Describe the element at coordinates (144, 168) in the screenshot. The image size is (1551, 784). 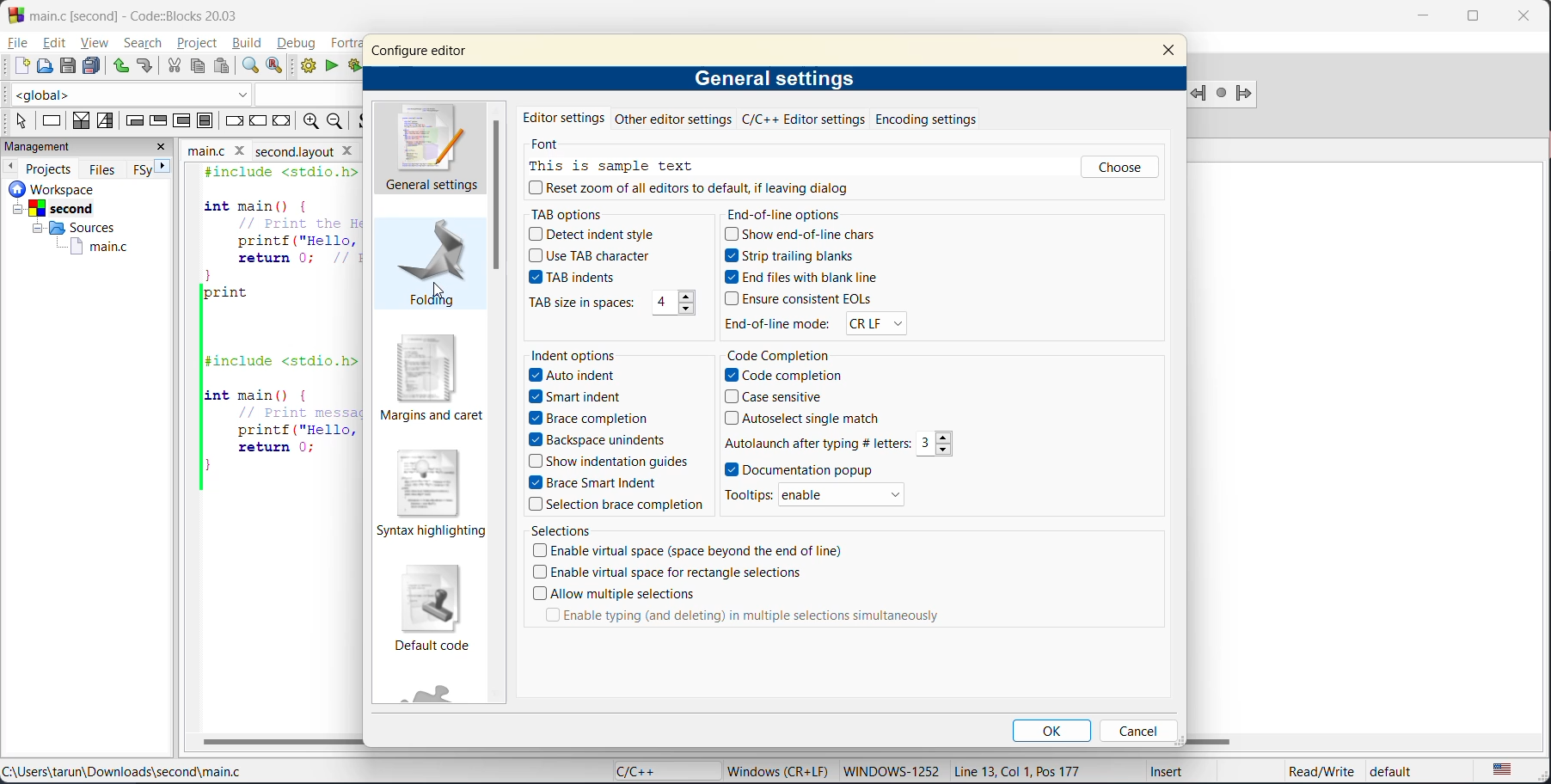
I see `FSy` at that location.